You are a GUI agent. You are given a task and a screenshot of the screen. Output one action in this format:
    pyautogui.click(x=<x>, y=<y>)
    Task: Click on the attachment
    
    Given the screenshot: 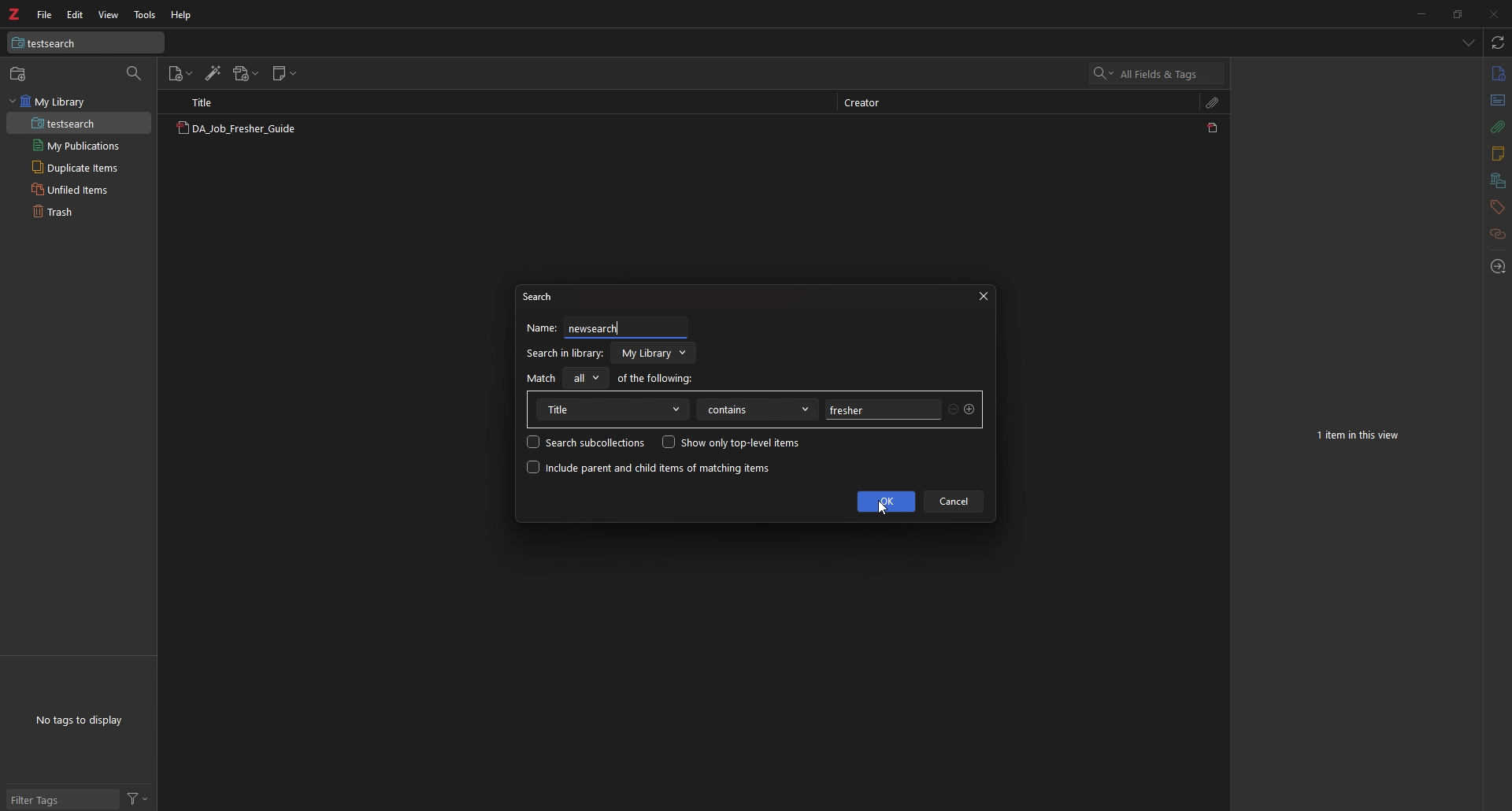 What is the action you would take?
    pyautogui.click(x=1214, y=102)
    